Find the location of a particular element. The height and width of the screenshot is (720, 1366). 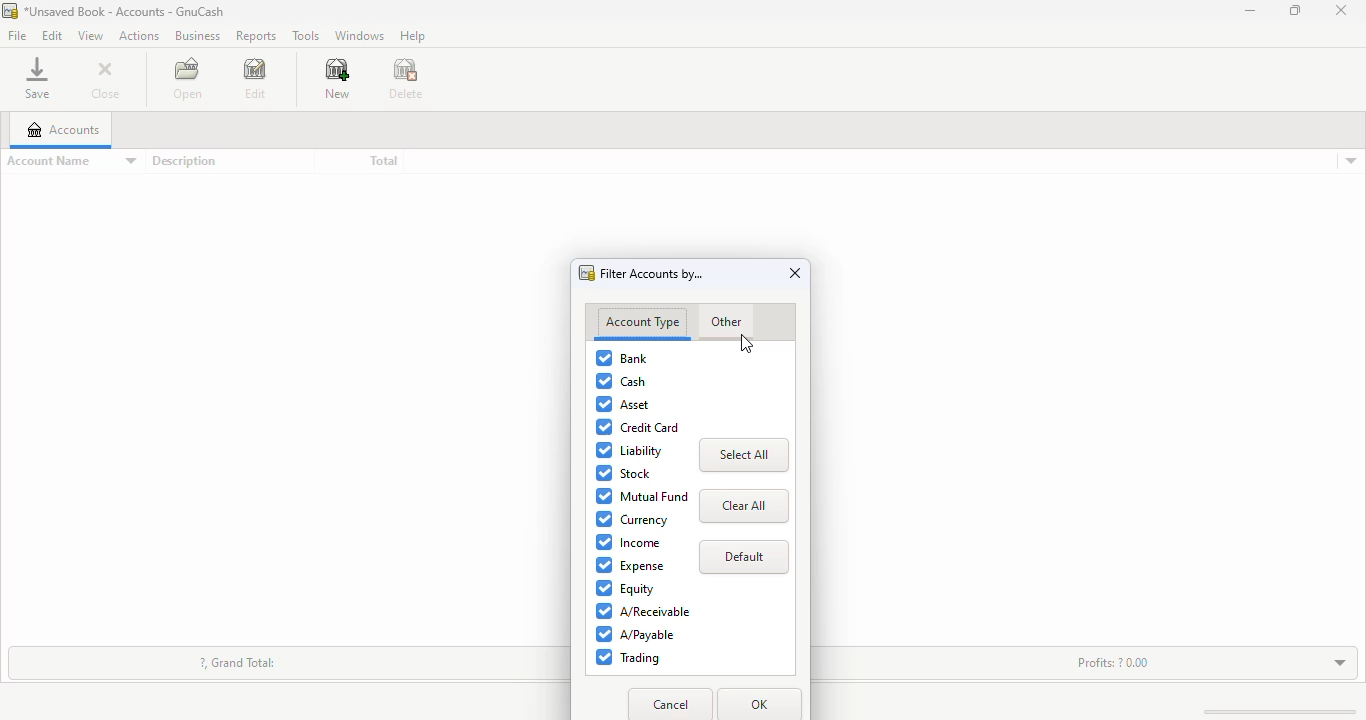

actions is located at coordinates (138, 35).